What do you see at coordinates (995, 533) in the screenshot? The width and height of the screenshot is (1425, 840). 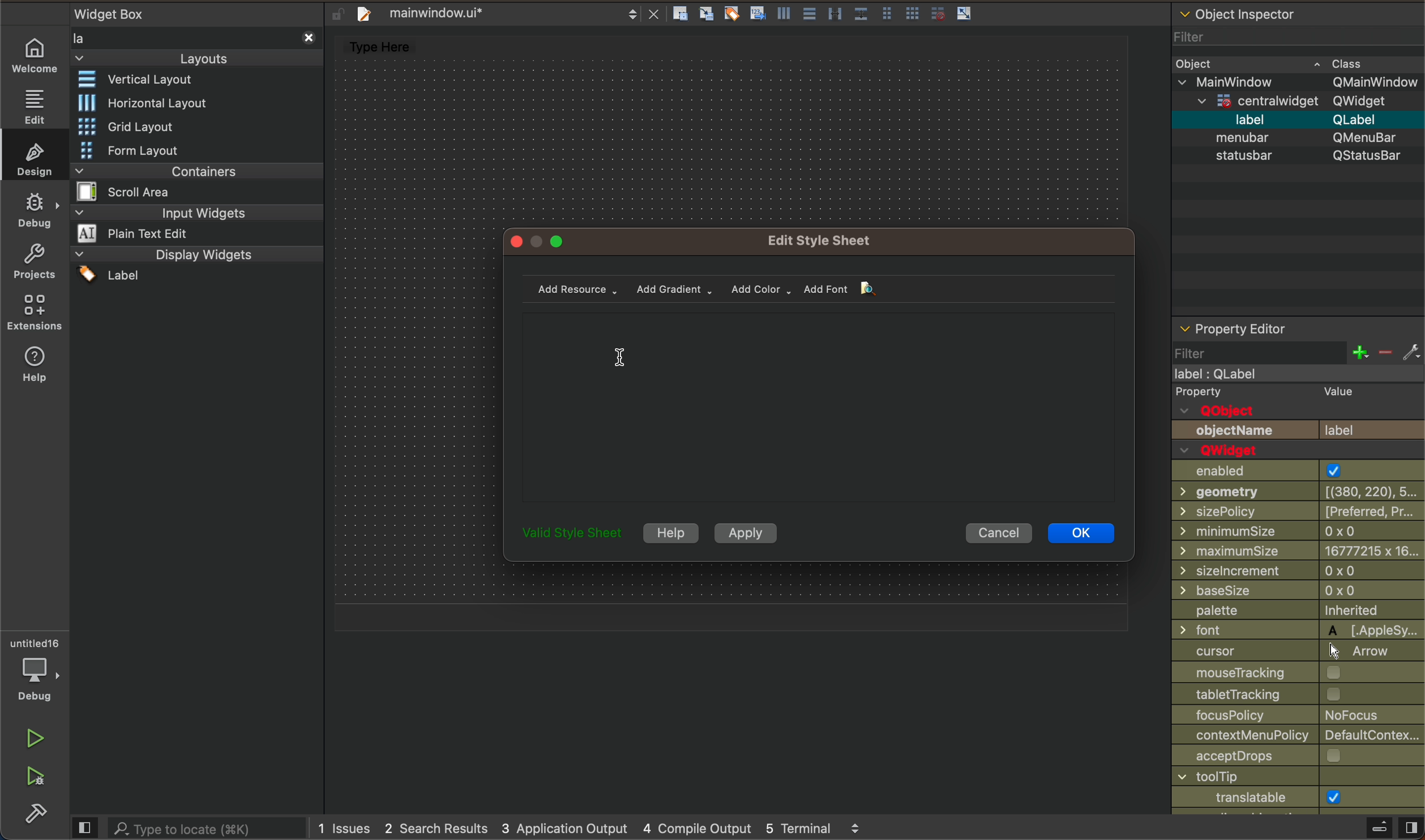 I see `cance` at bounding box center [995, 533].